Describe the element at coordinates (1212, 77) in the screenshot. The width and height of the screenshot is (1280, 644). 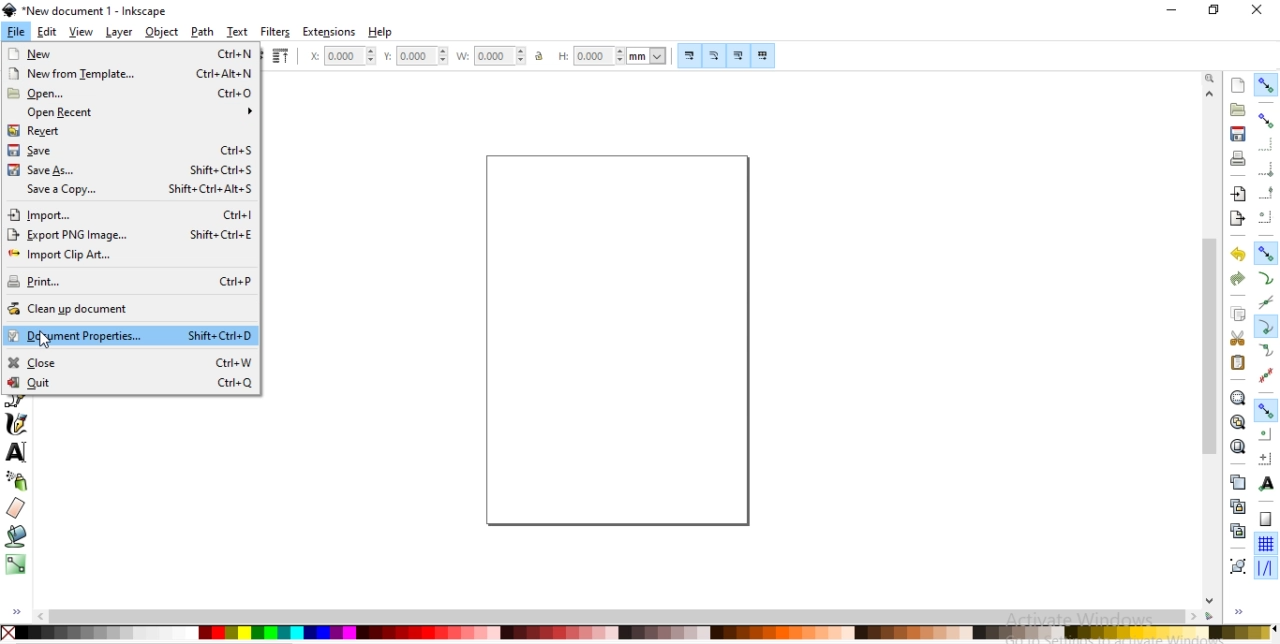
I see `zoom` at that location.